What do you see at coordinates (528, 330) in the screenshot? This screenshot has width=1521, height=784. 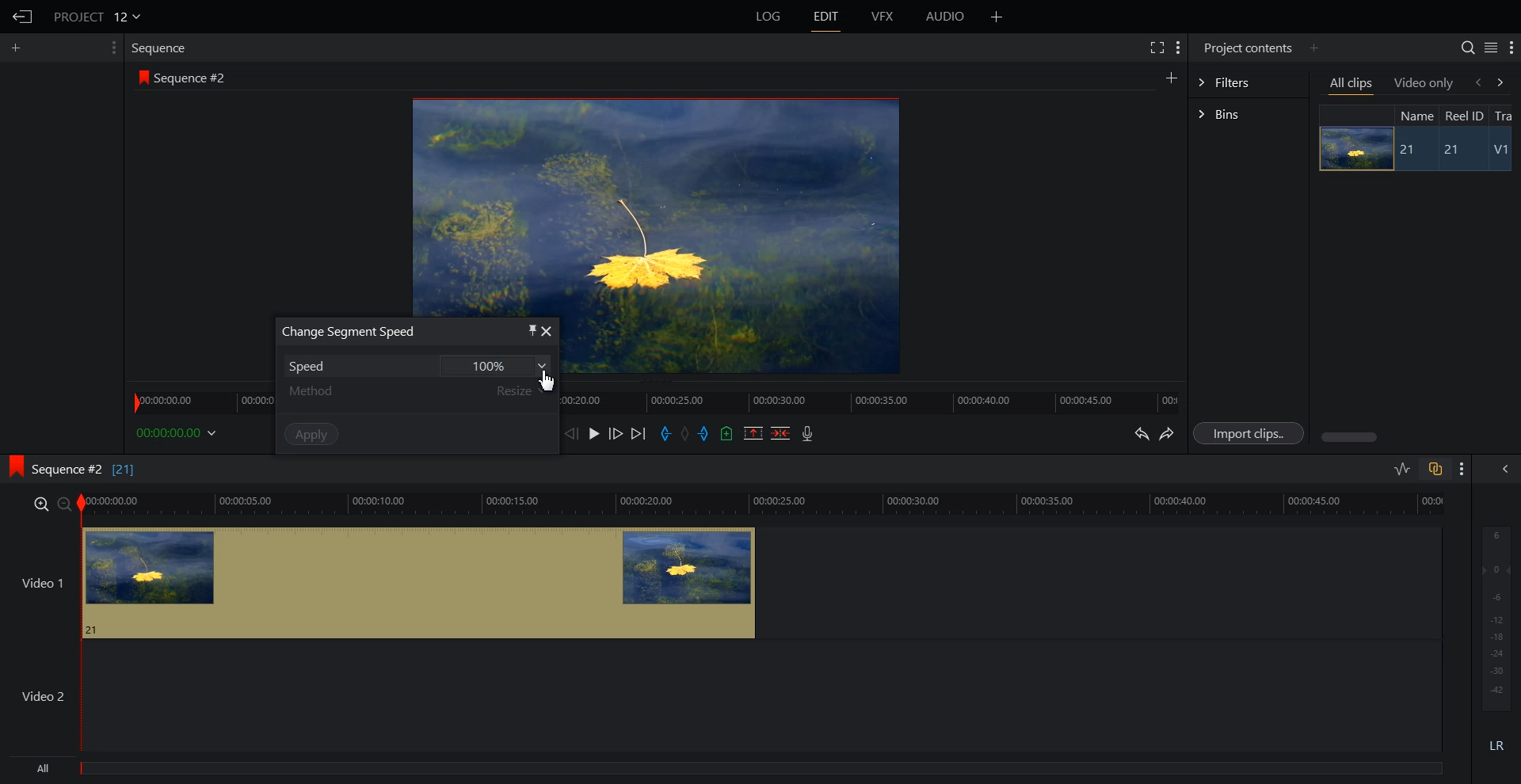 I see `pin` at bounding box center [528, 330].